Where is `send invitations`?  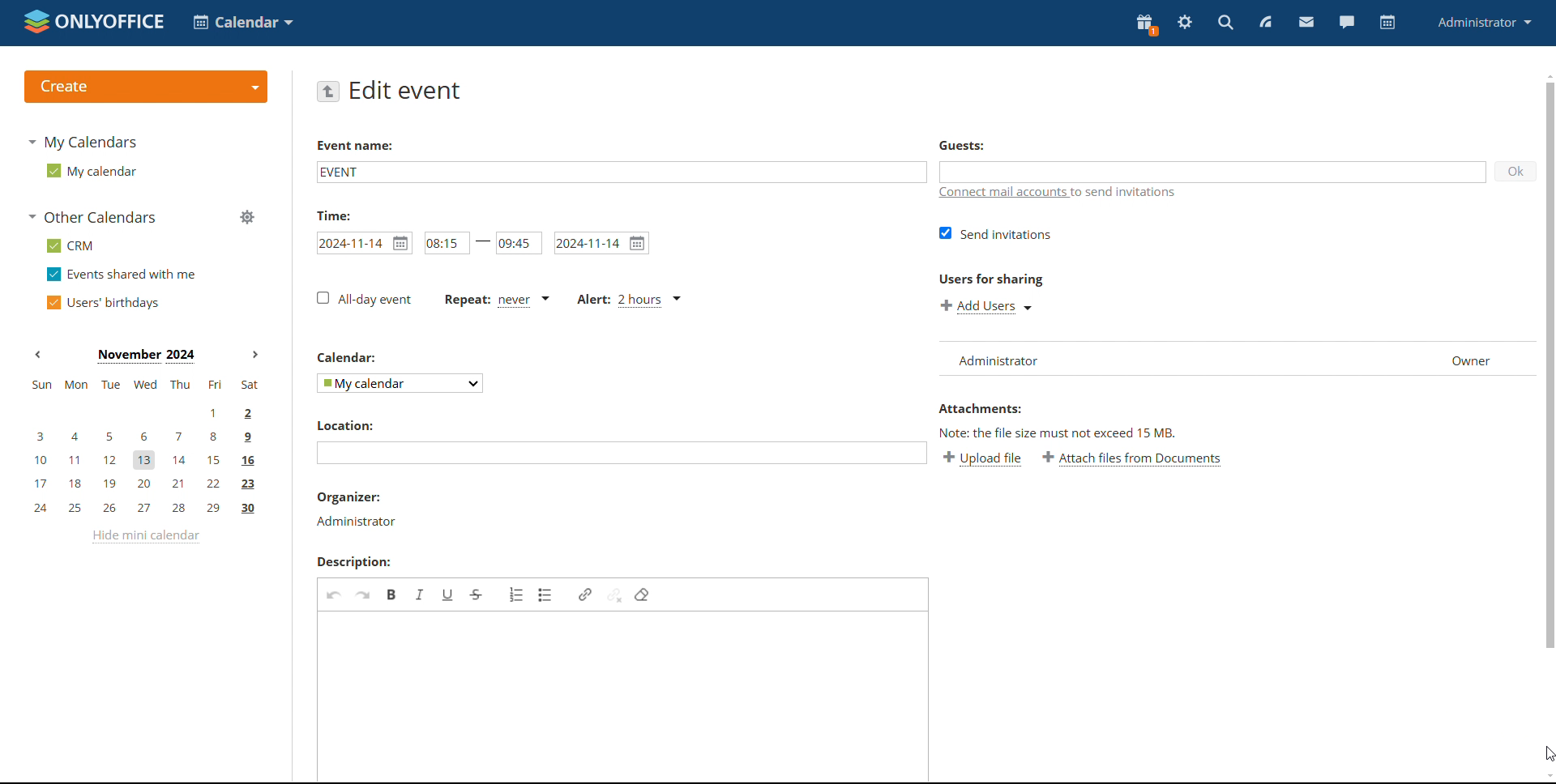 send invitations is located at coordinates (995, 233).